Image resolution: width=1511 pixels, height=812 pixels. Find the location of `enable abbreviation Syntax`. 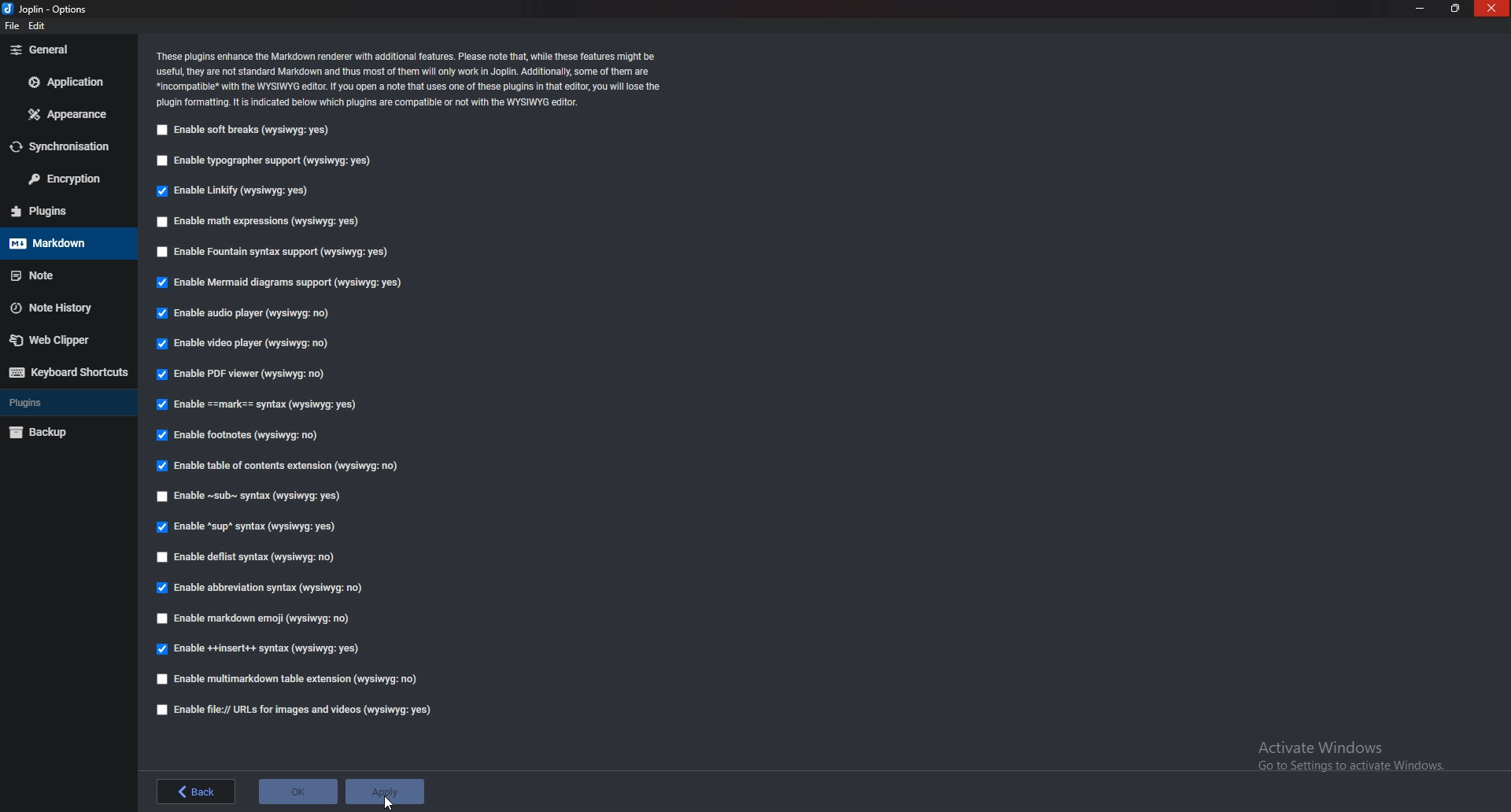

enable abbreviation Syntax is located at coordinates (264, 588).